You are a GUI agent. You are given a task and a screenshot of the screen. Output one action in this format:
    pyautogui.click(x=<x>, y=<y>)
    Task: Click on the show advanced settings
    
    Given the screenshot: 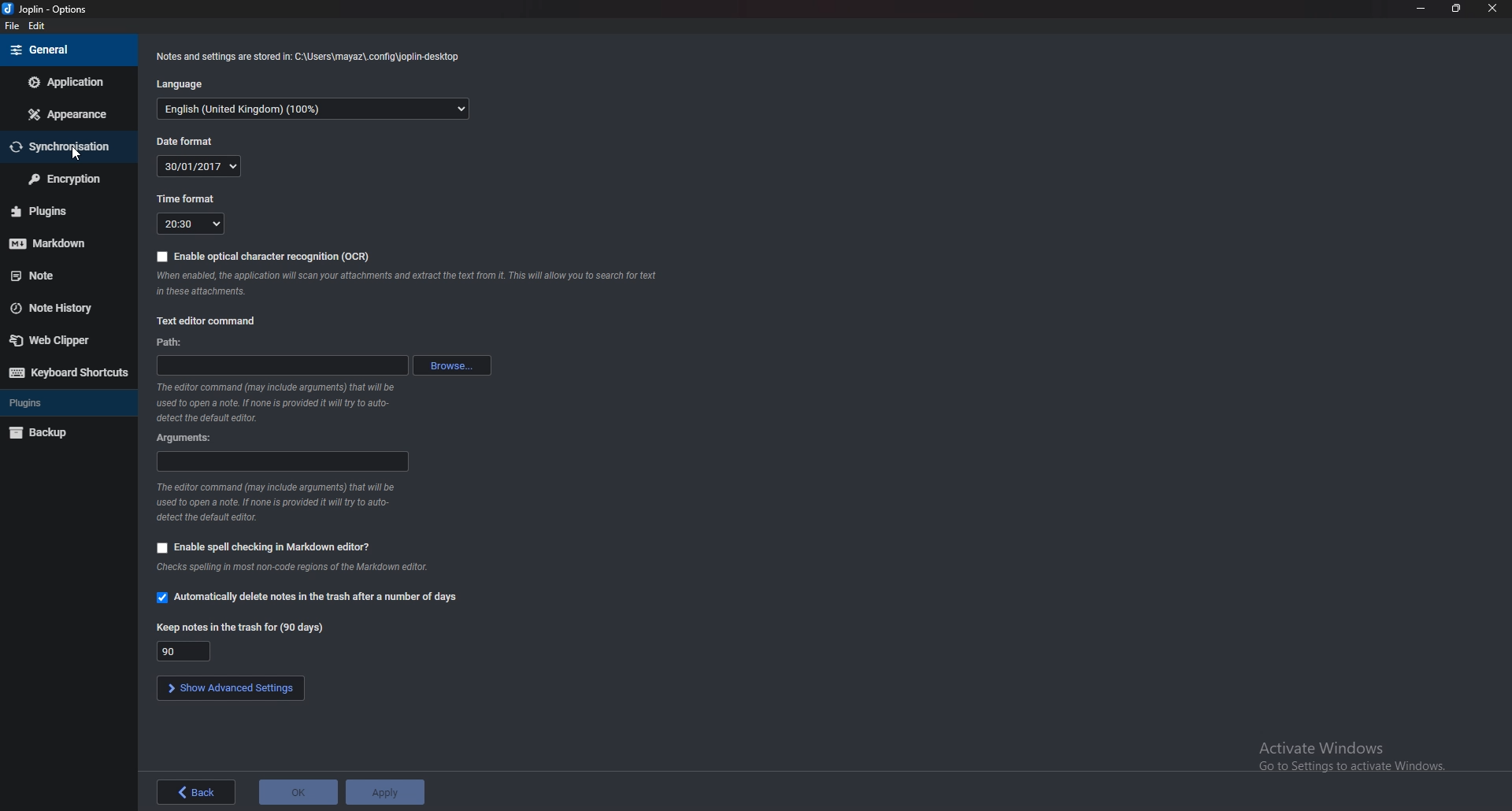 What is the action you would take?
    pyautogui.click(x=227, y=688)
    